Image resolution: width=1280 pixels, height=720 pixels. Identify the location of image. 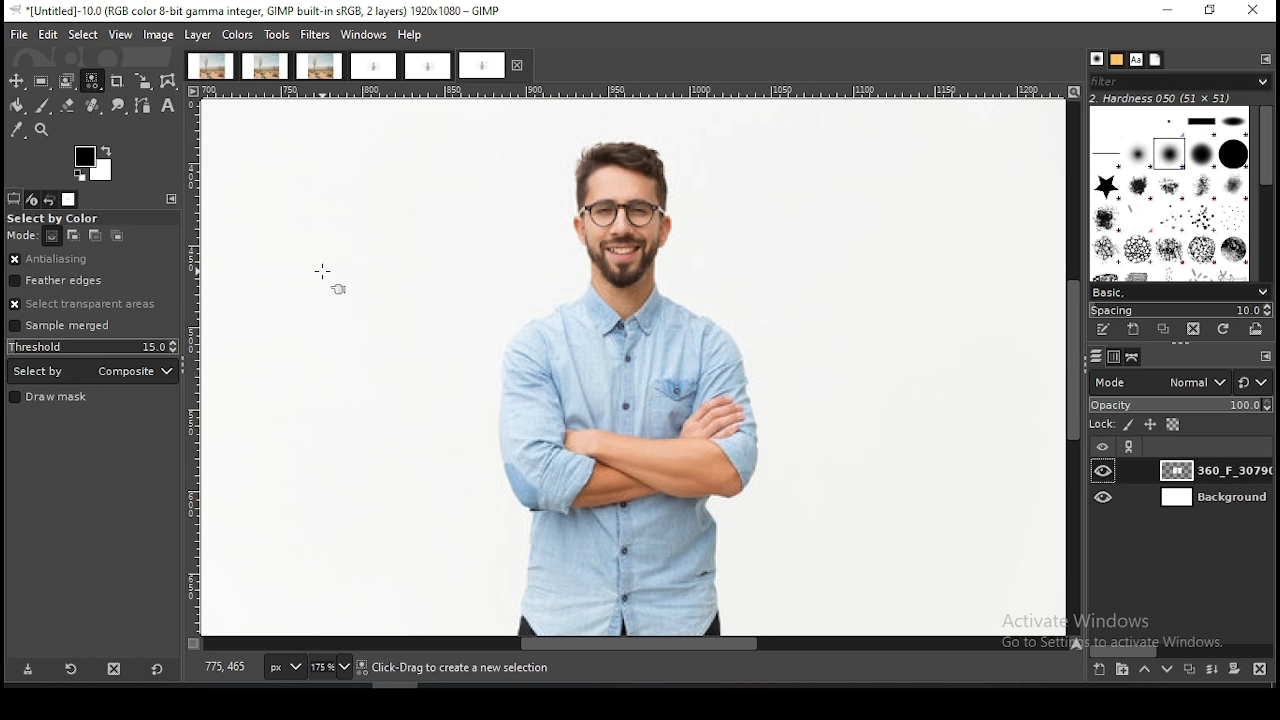
(158, 36).